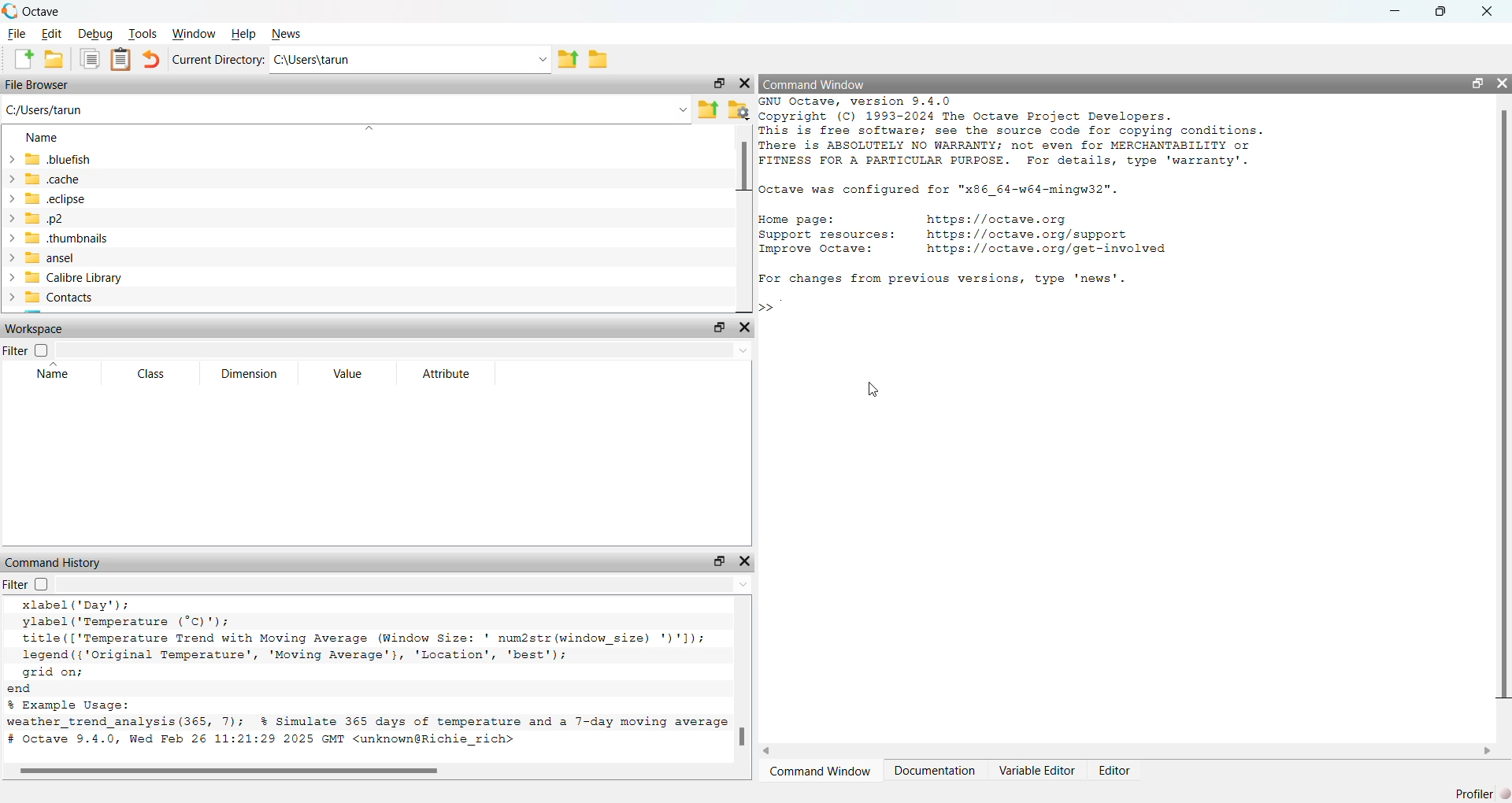  Describe the element at coordinates (740, 329) in the screenshot. I see `close` at that location.